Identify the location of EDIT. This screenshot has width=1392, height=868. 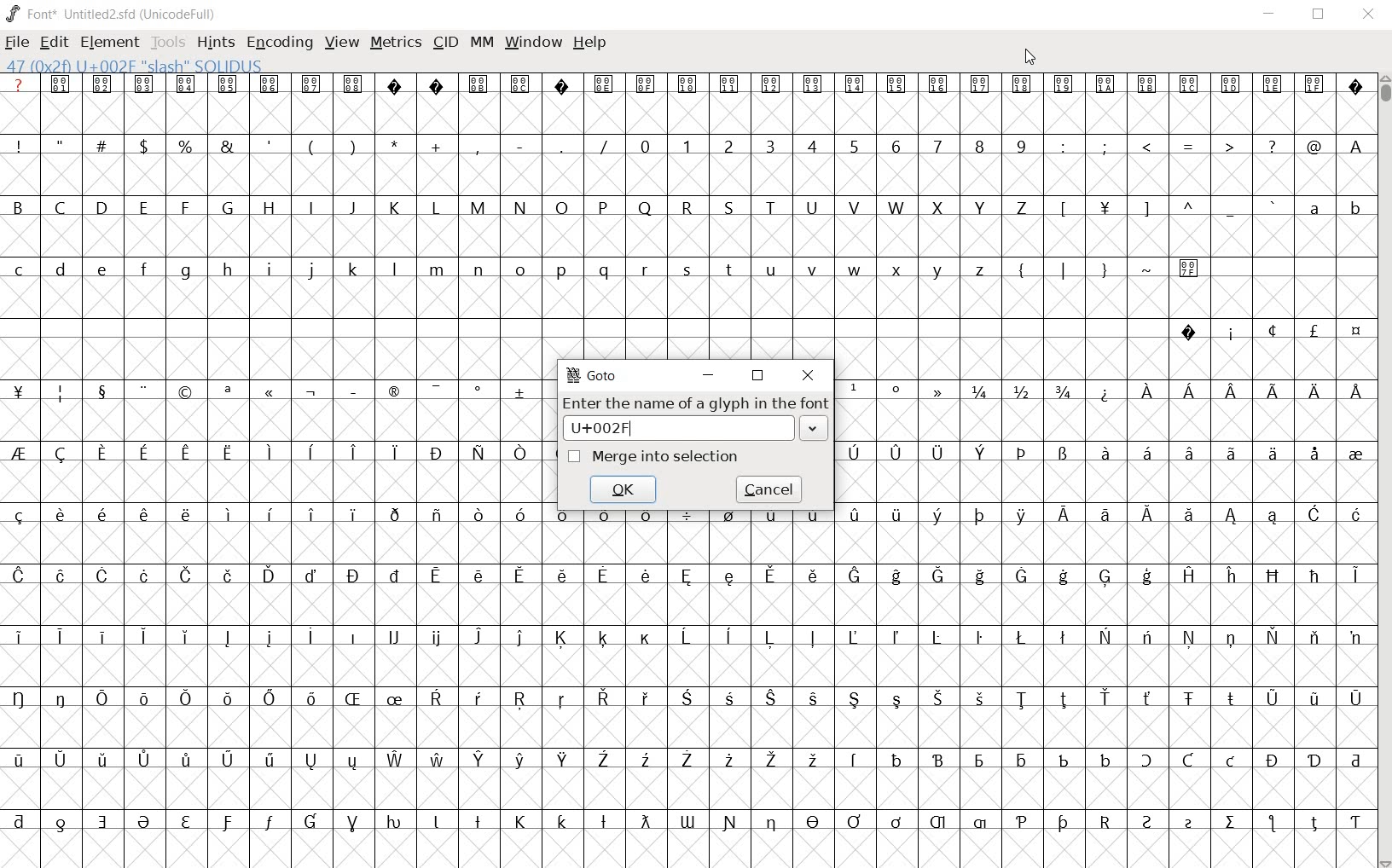
(55, 43).